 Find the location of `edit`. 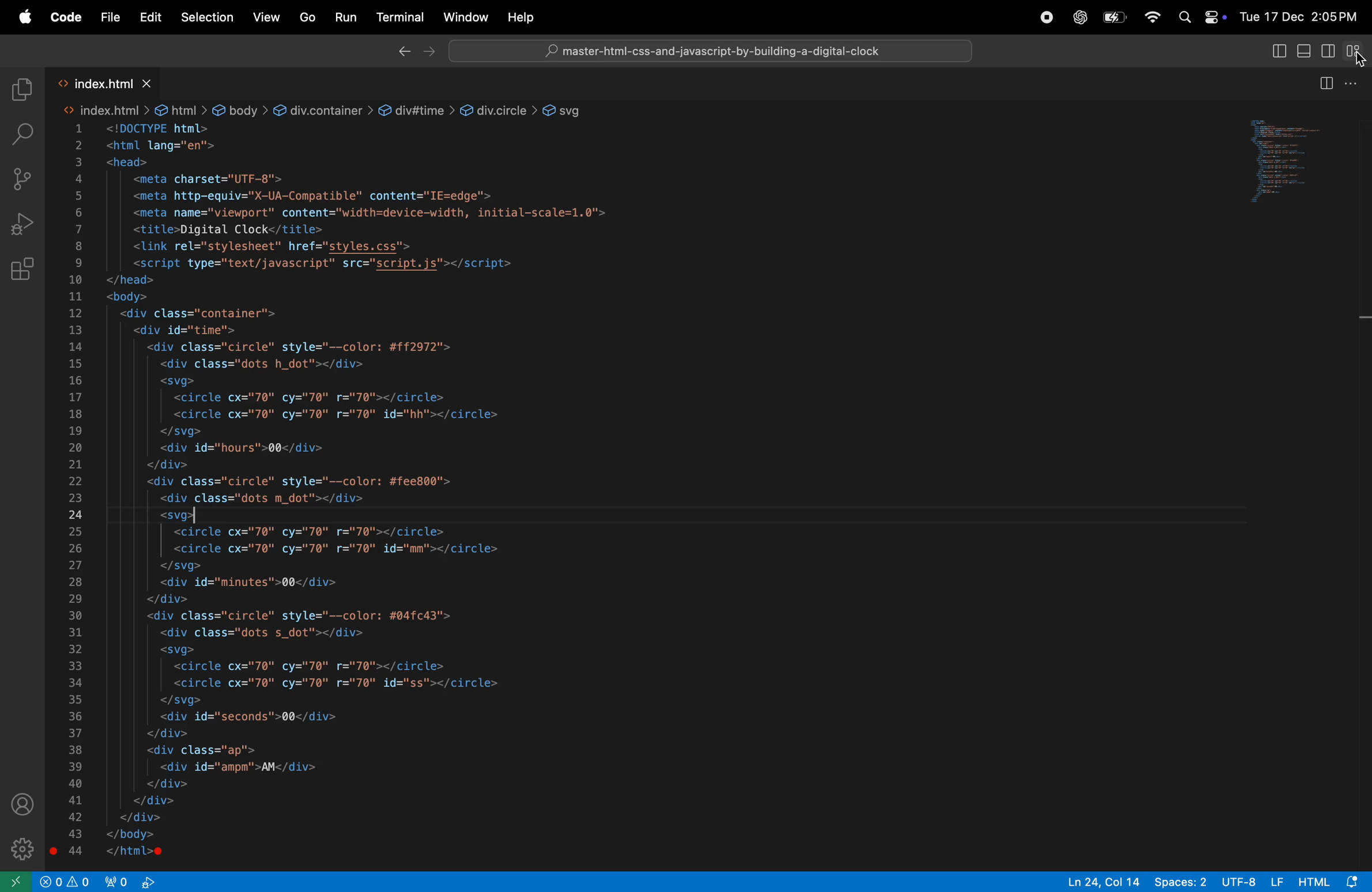

edit is located at coordinates (151, 17).